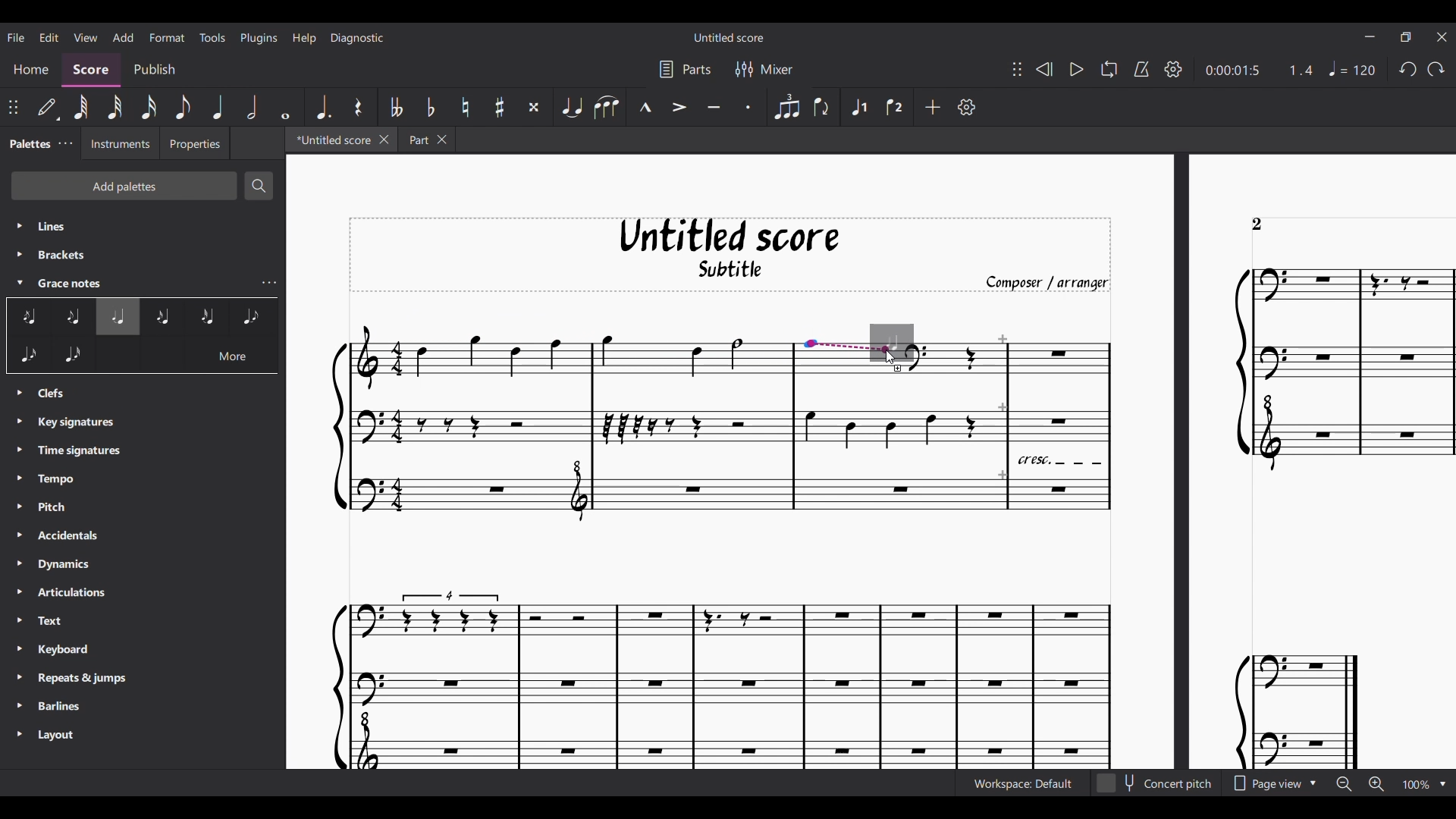 The width and height of the screenshot is (1456, 819). What do you see at coordinates (1416, 784) in the screenshot?
I see `Current zoom factor` at bounding box center [1416, 784].